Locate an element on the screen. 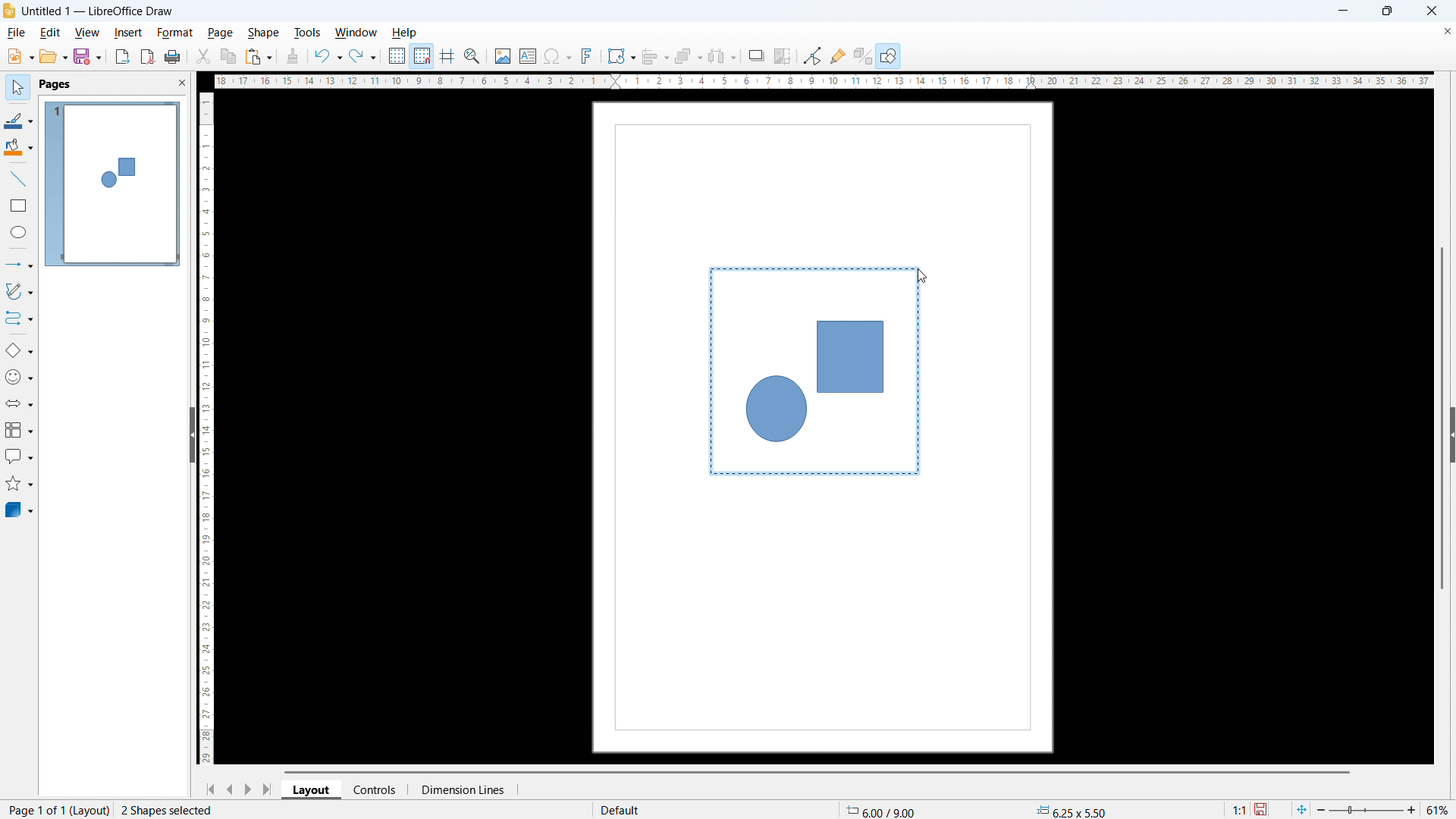 The height and width of the screenshot is (819, 1456). select is located at coordinates (17, 88).